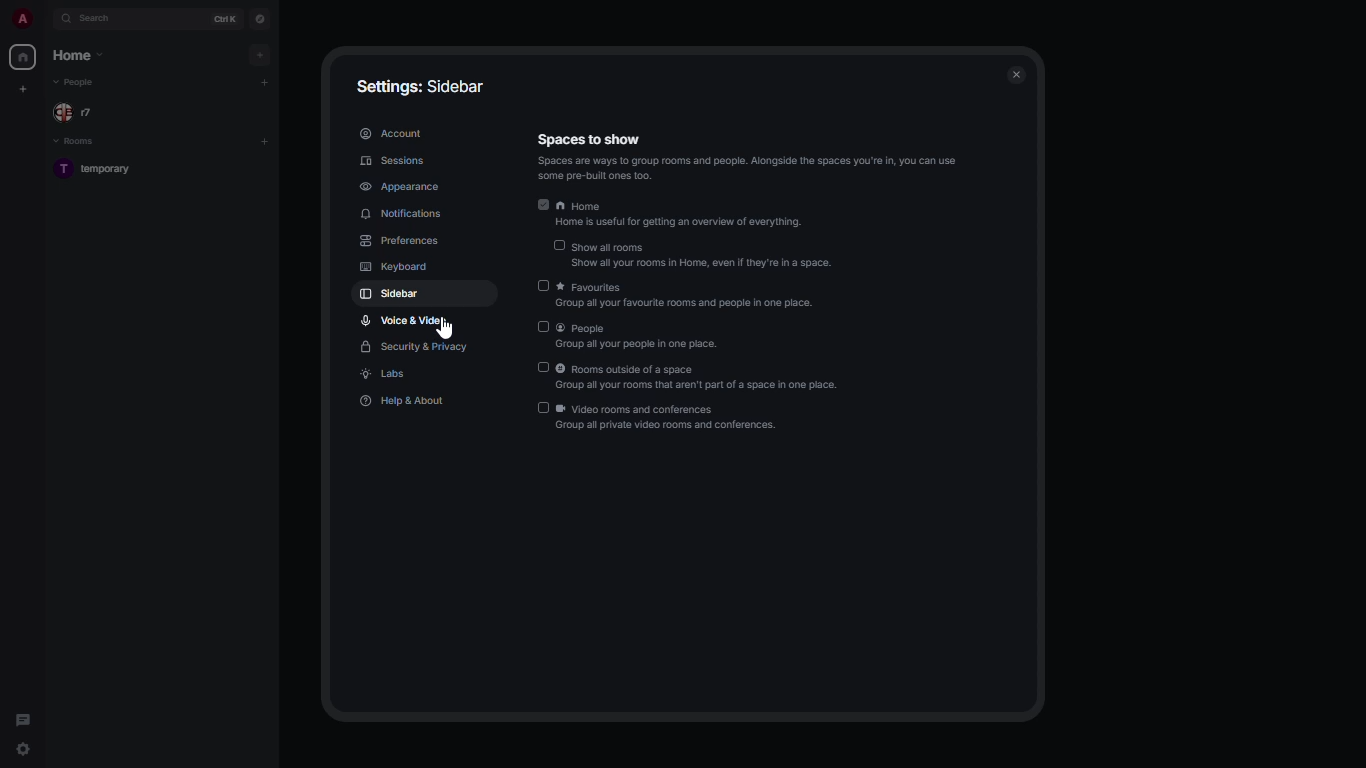  What do you see at coordinates (392, 293) in the screenshot?
I see `sidebar` at bounding box center [392, 293].